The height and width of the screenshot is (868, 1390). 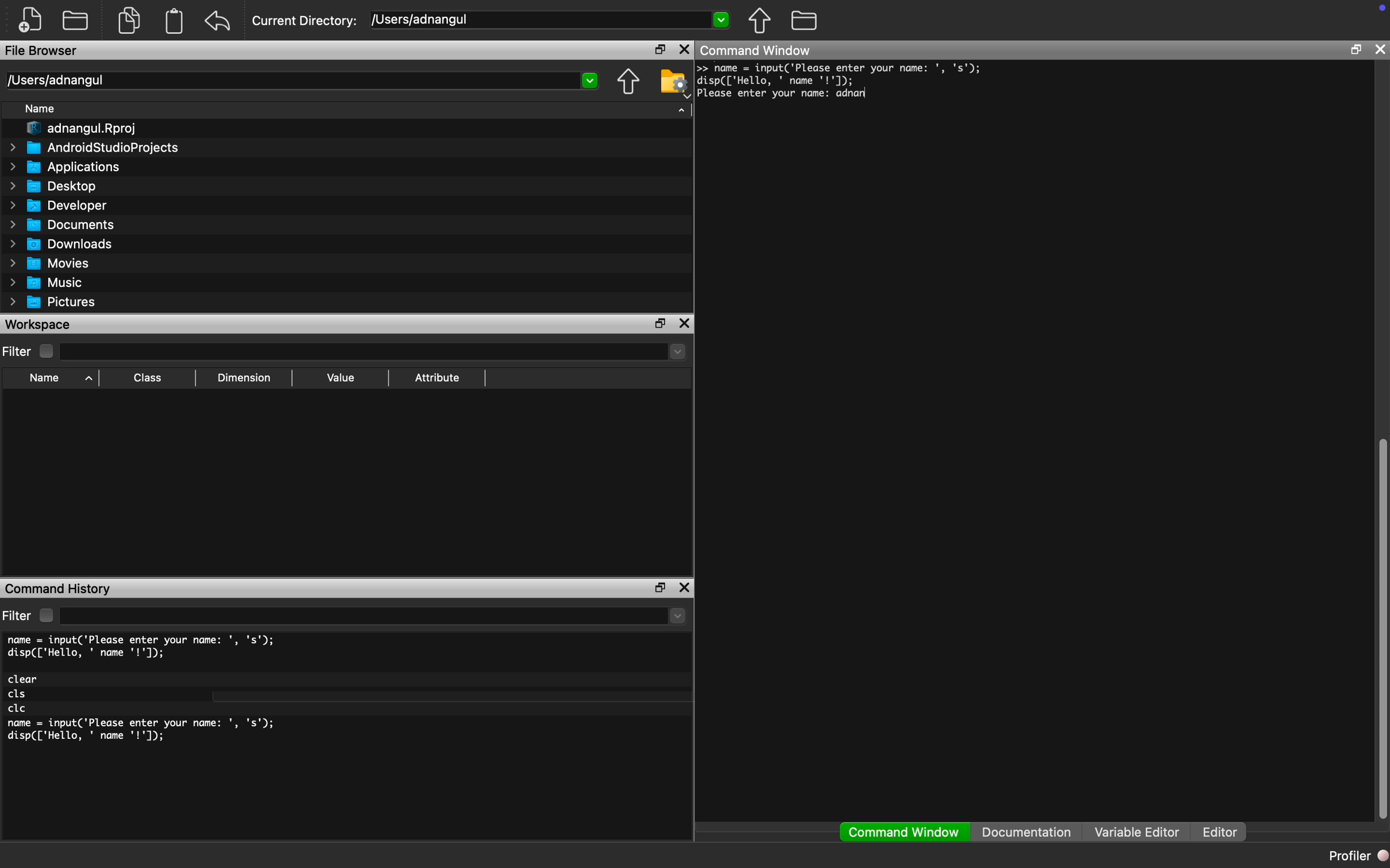 What do you see at coordinates (760, 21) in the screenshot?
I see `previous file` at bounding box center [760, 21].